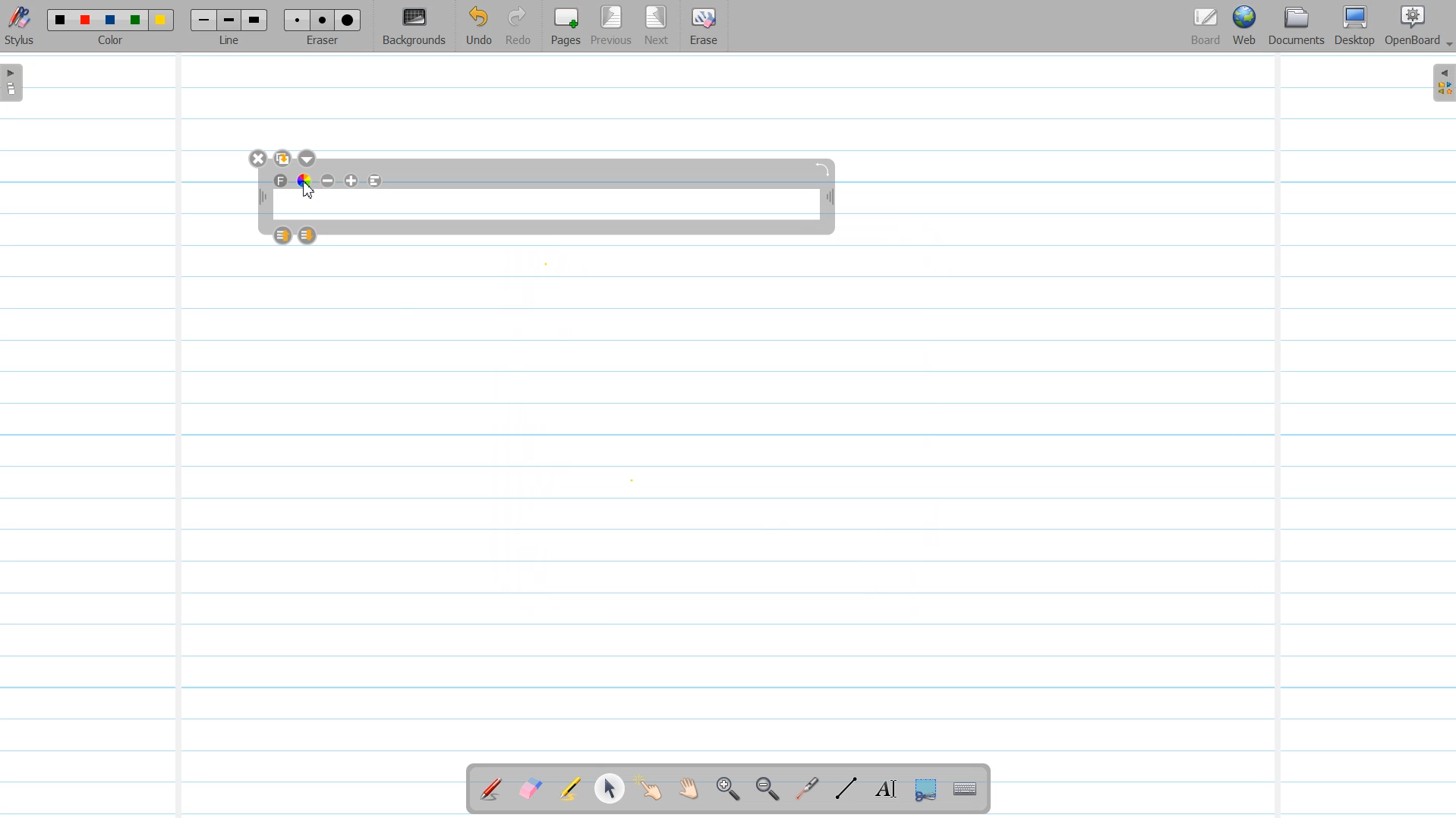 The image size is (1456, 818). Describe the element at coordinates (491, 789) in the screenshot. I see `Annotate Document` at that location.